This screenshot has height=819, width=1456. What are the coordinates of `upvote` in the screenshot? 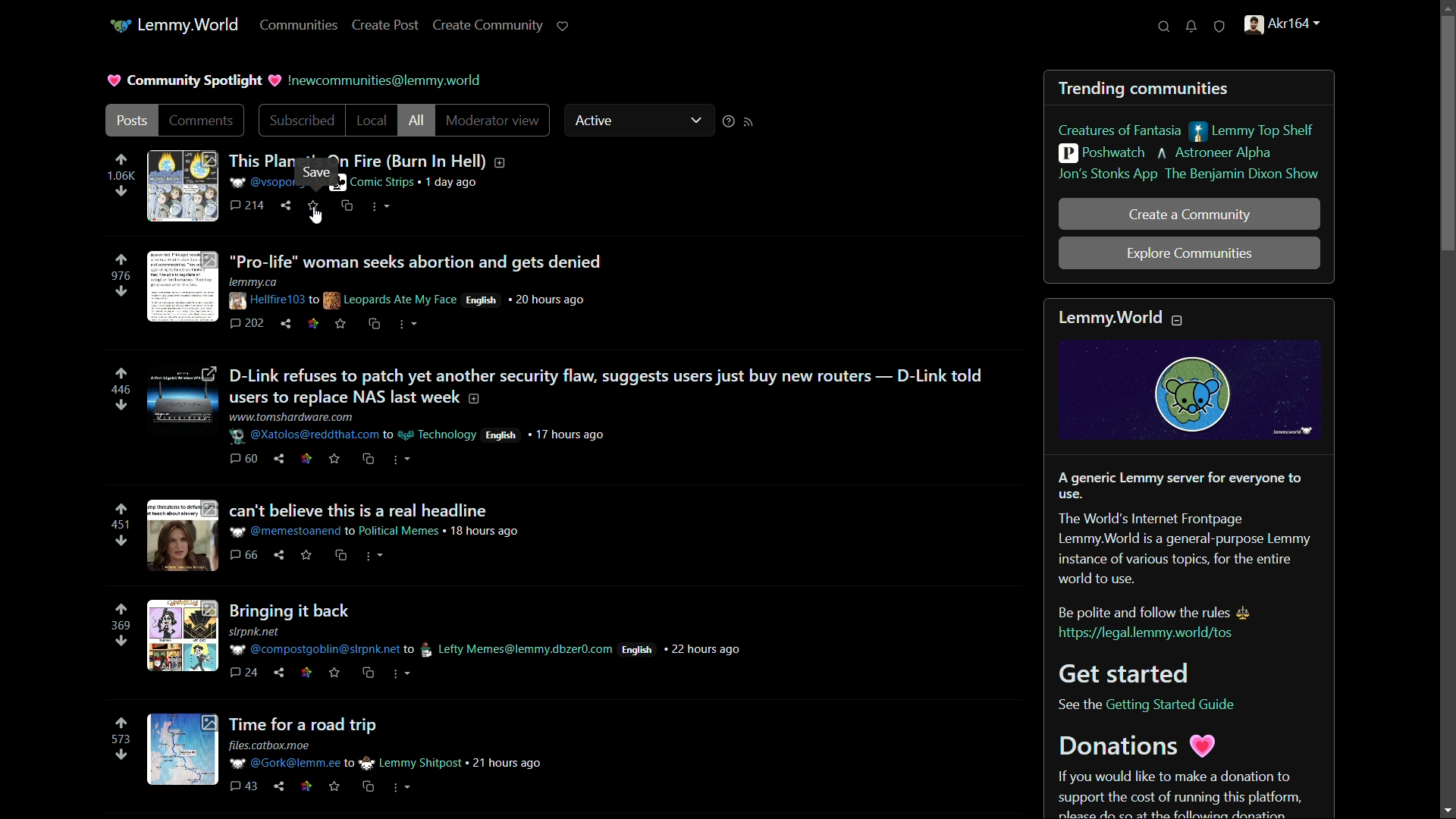 It's located at (121, 509).